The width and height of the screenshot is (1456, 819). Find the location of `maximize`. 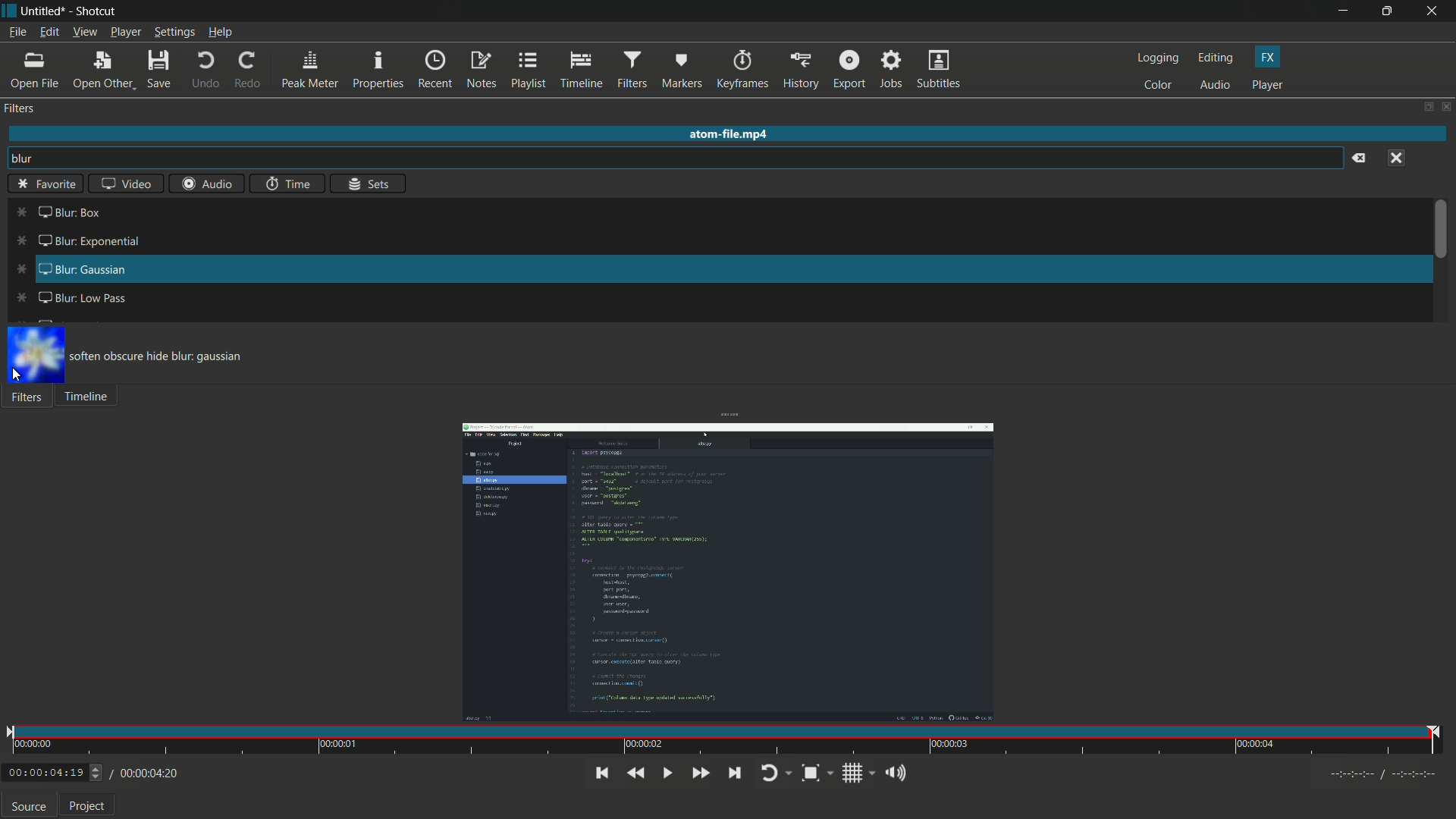

maximize is located at coordinates (1390, 11).